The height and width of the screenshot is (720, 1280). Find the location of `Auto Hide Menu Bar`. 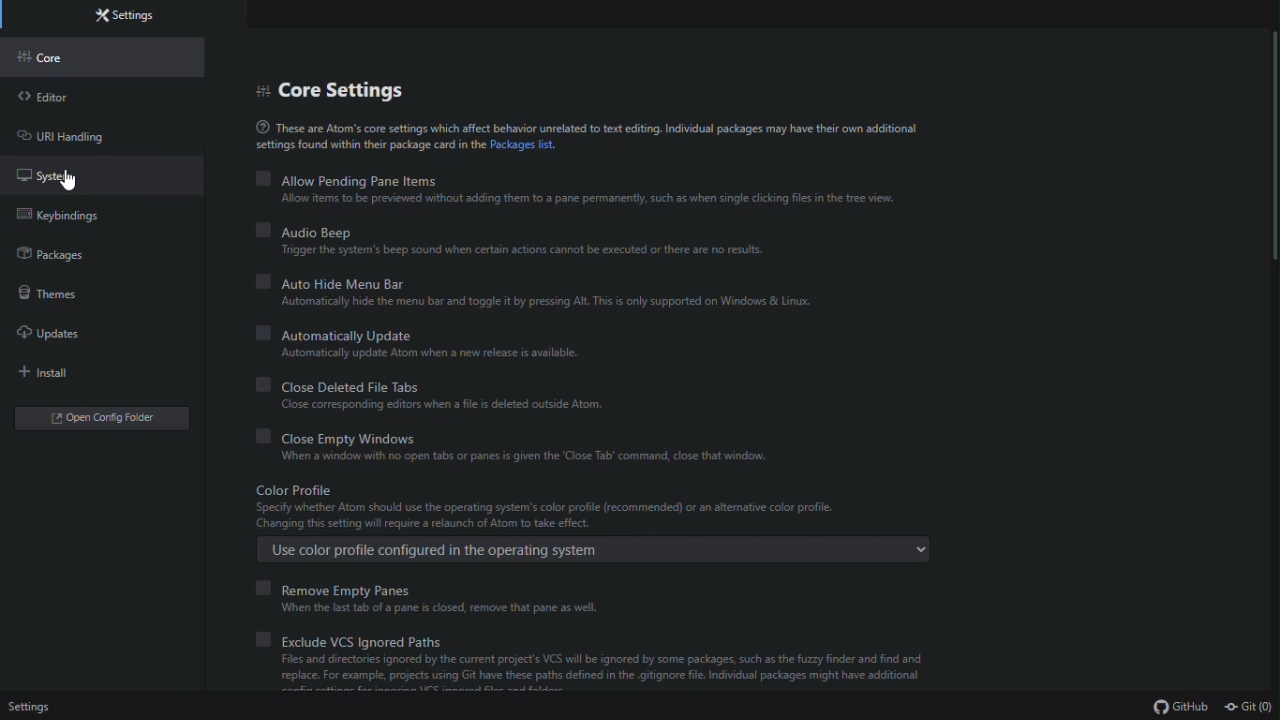

Auto Hide Menu Bar is located at coordinates (328, 283).